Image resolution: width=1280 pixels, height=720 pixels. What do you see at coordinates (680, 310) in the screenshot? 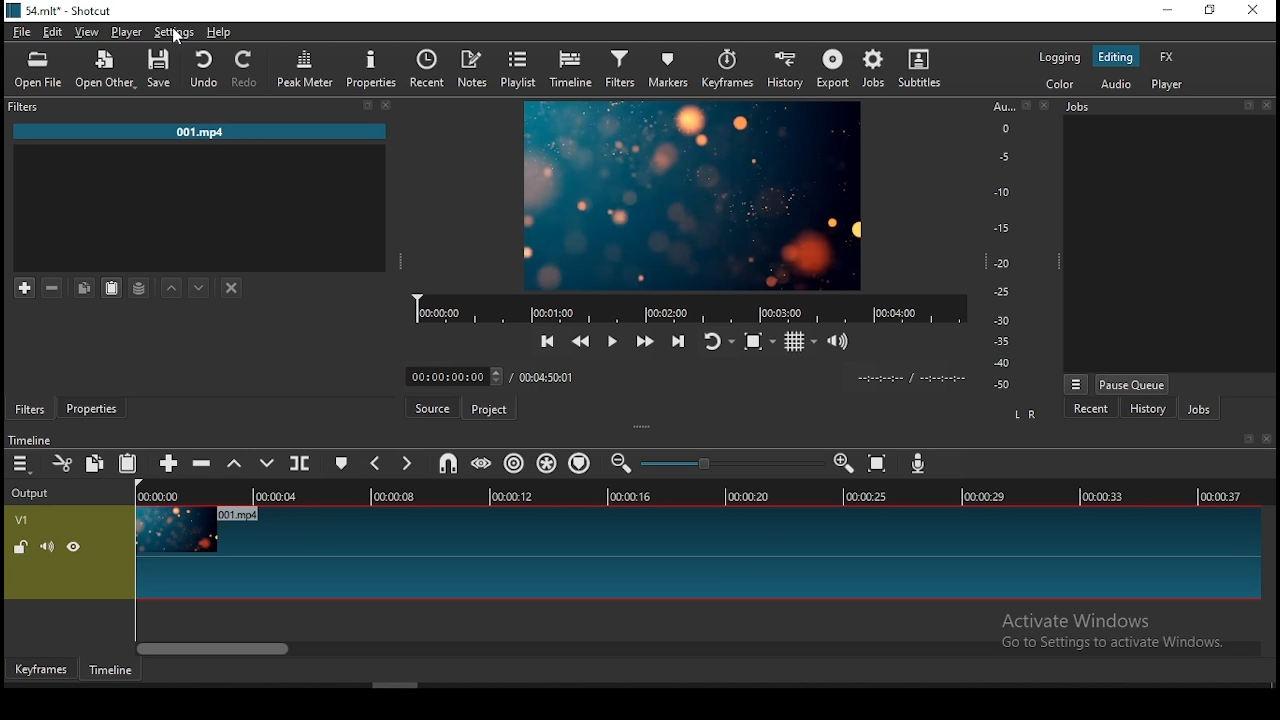
I see `record` at bounding box center [680, 310].